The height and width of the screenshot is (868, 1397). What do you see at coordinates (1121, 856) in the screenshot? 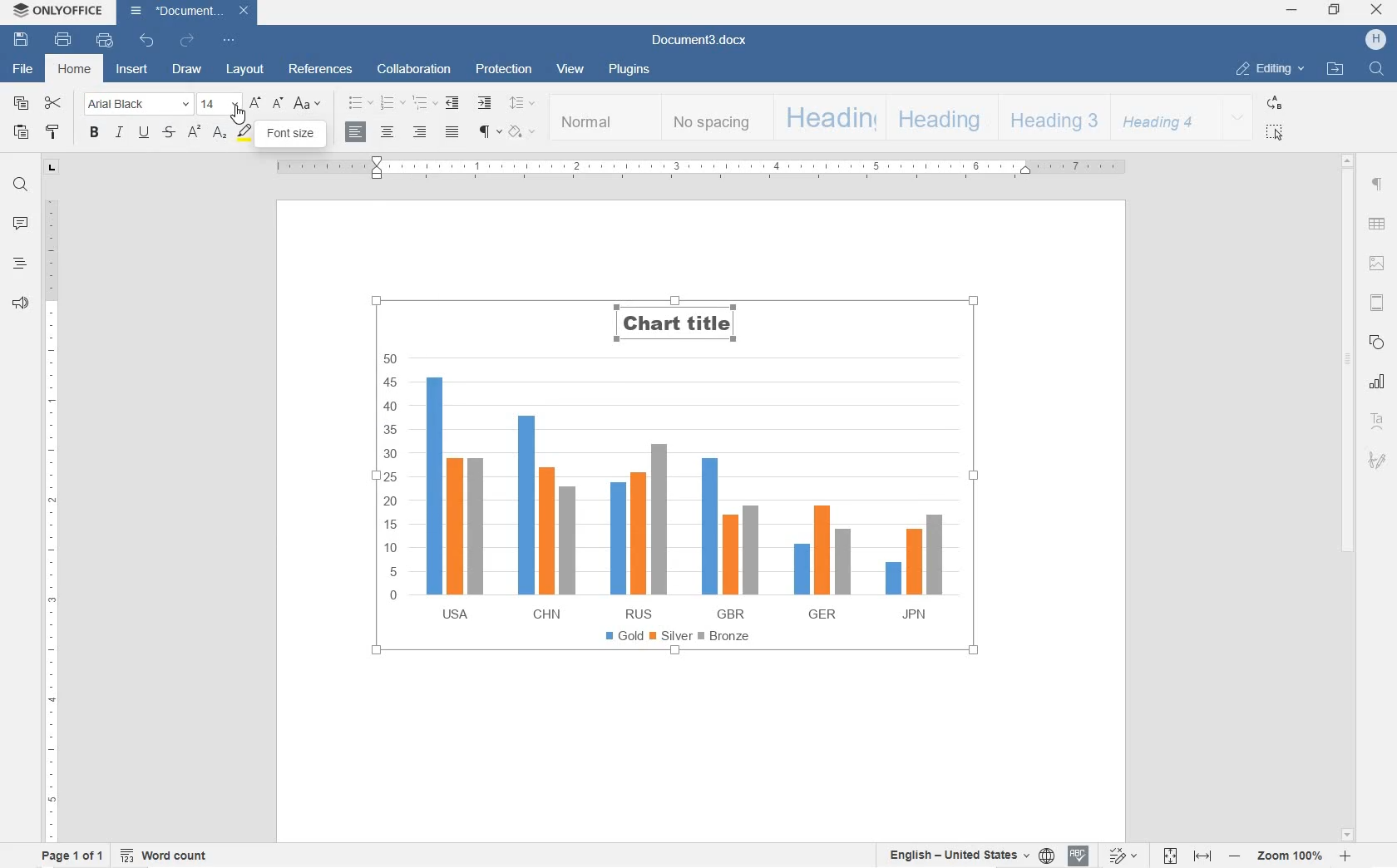
I see `TRACK CHANGES` at bounding box center [1121, 856].